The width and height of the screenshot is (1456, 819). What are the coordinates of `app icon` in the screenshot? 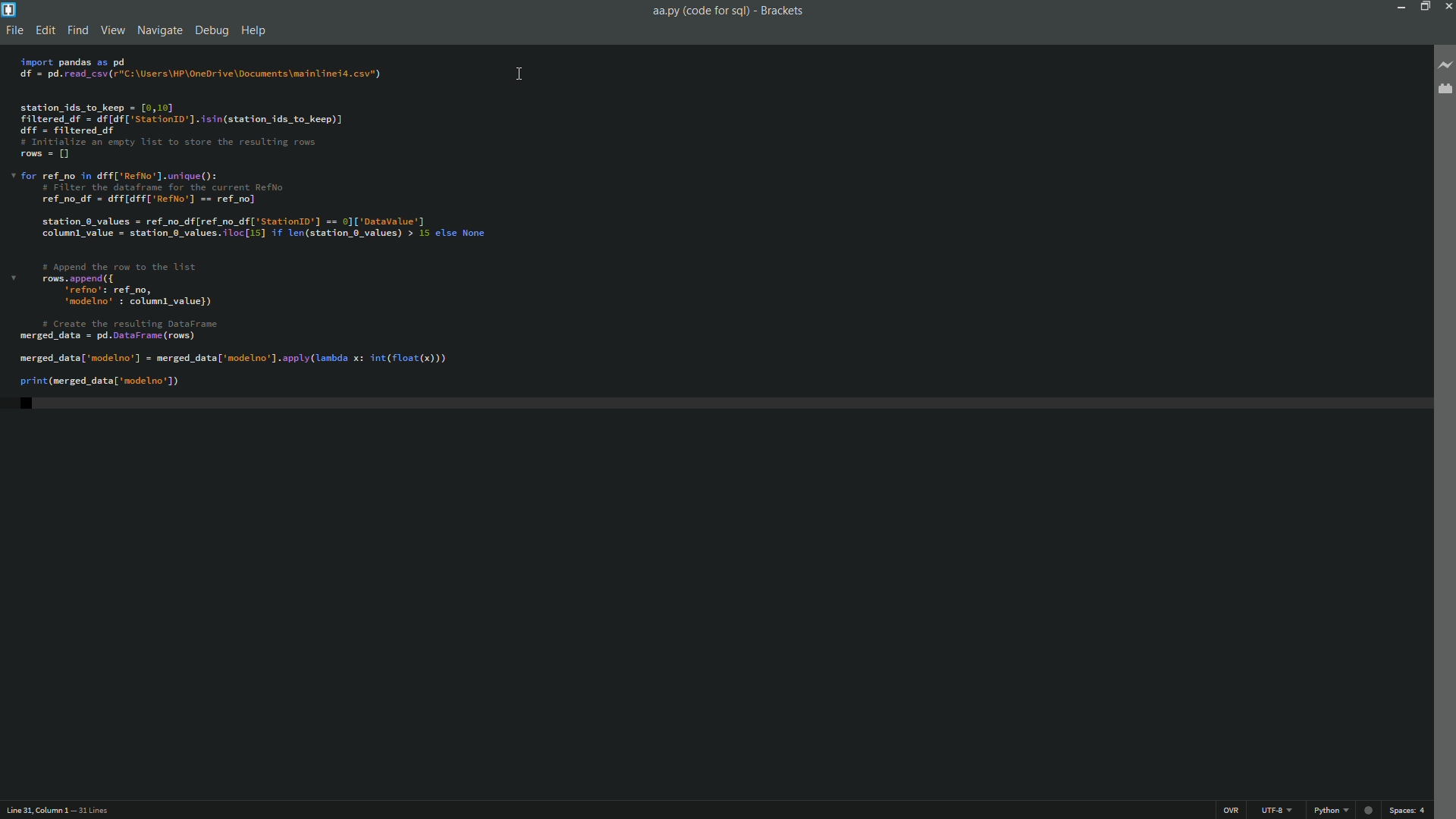 It's located at (10, 11).